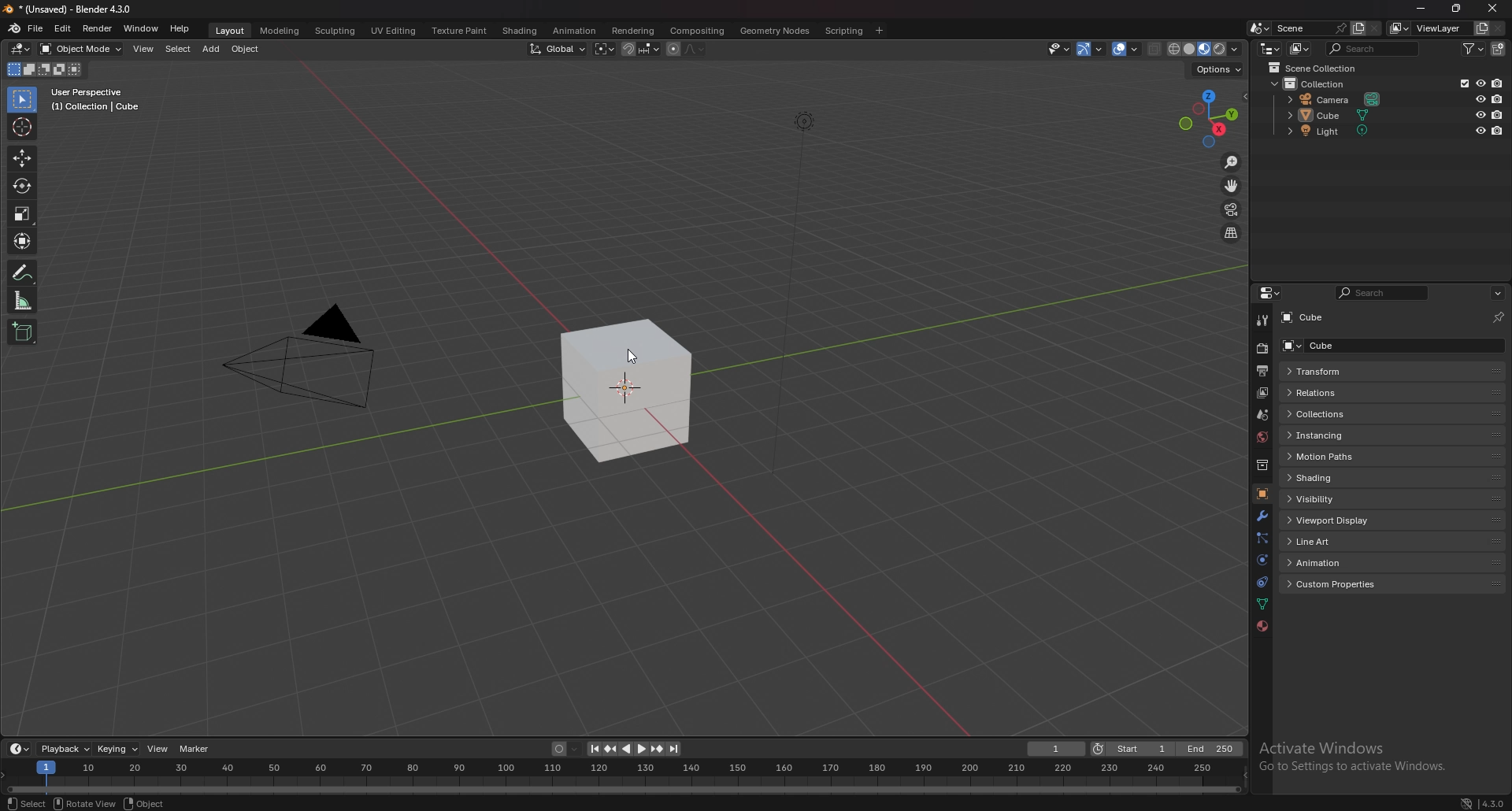 The width and height of the screenshot is (1512, 811). Describe the element at coordinates (699, 31) in the screenshot. I see `compositing` at that location.